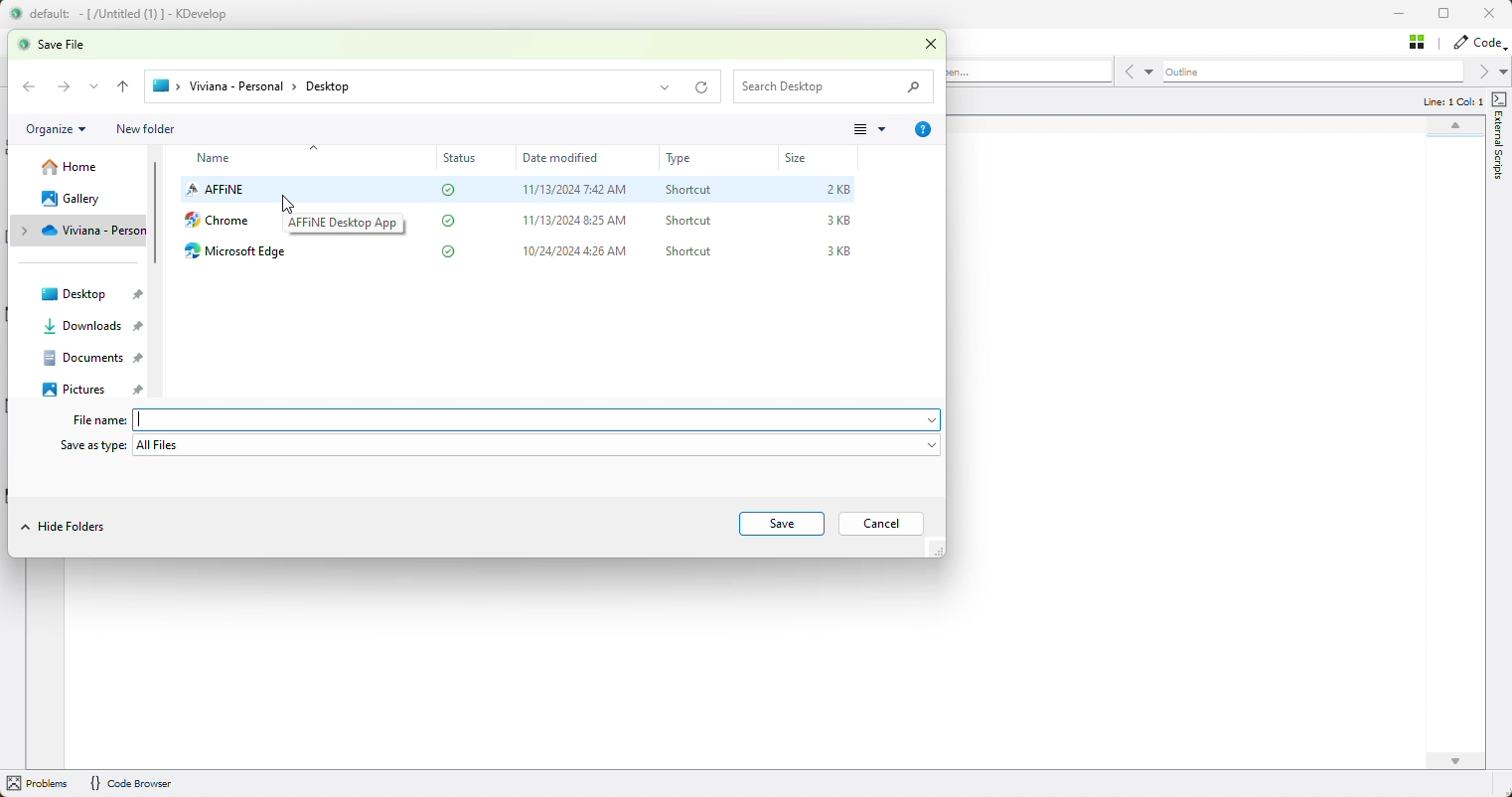  I want to click on Shortcut, so click(688, 187).